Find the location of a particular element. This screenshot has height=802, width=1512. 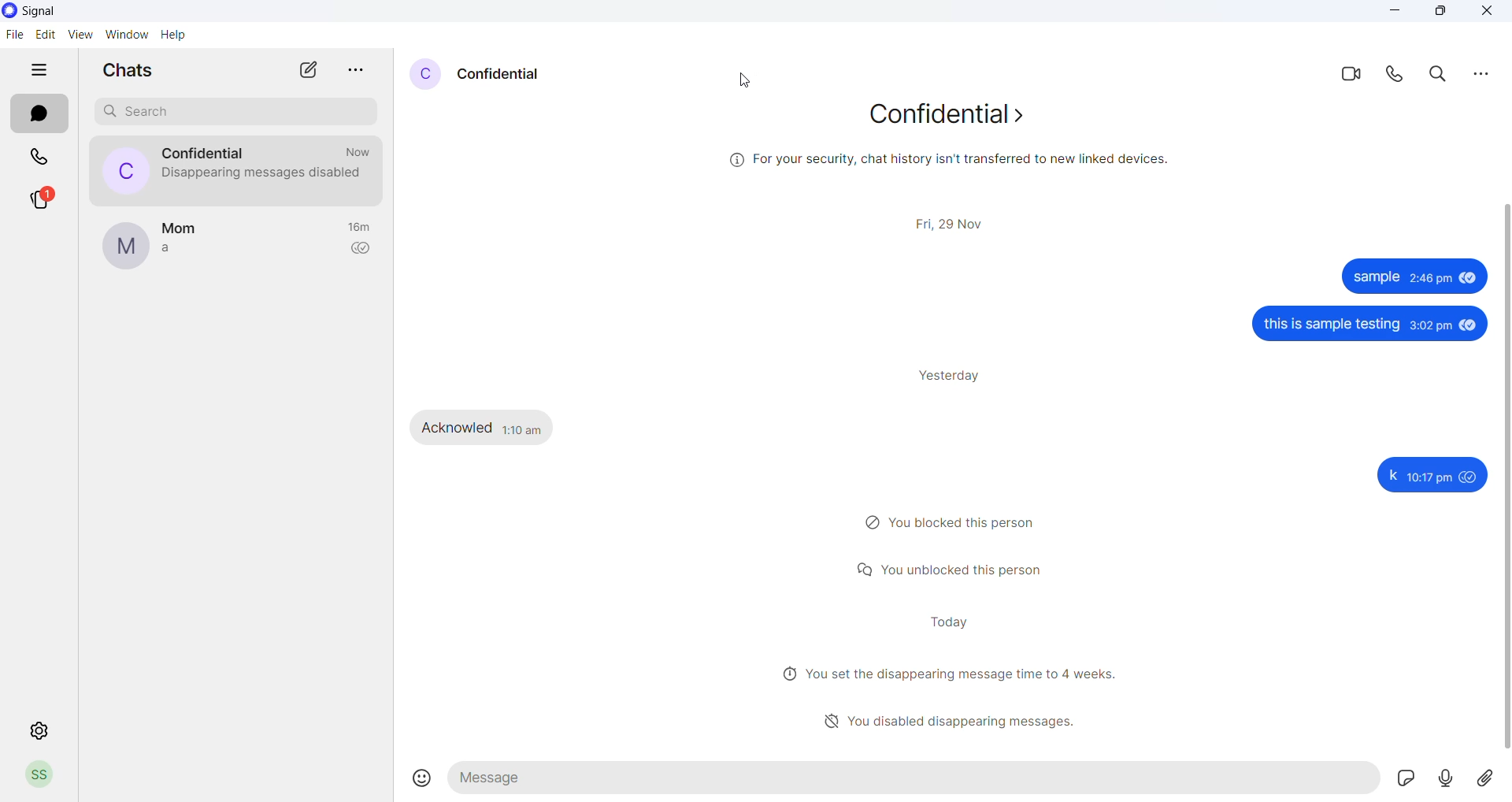

more options is located at coordinates (358, 69).